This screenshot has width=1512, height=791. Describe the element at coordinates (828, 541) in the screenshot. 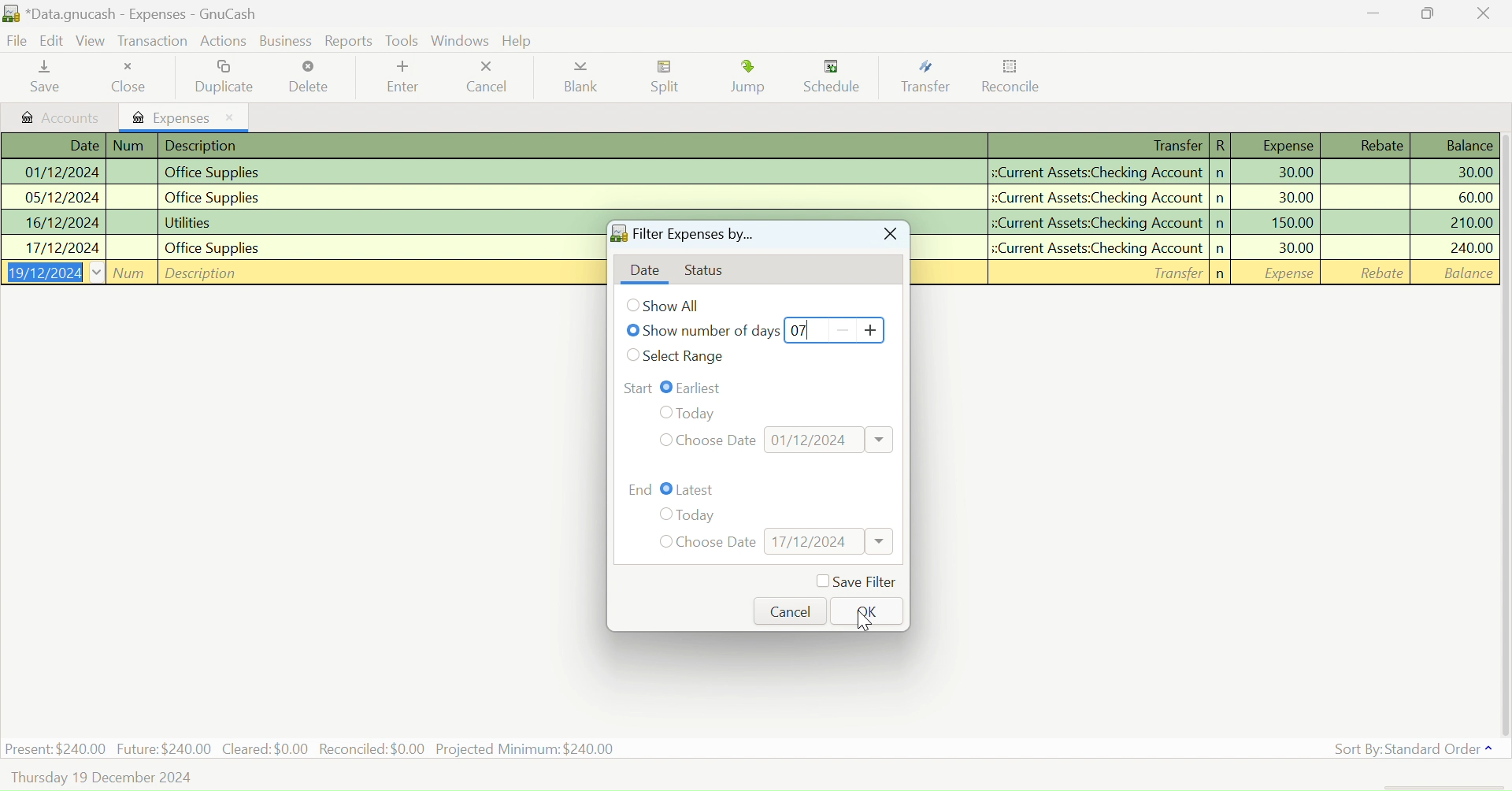

I see `Date Input` at that location.